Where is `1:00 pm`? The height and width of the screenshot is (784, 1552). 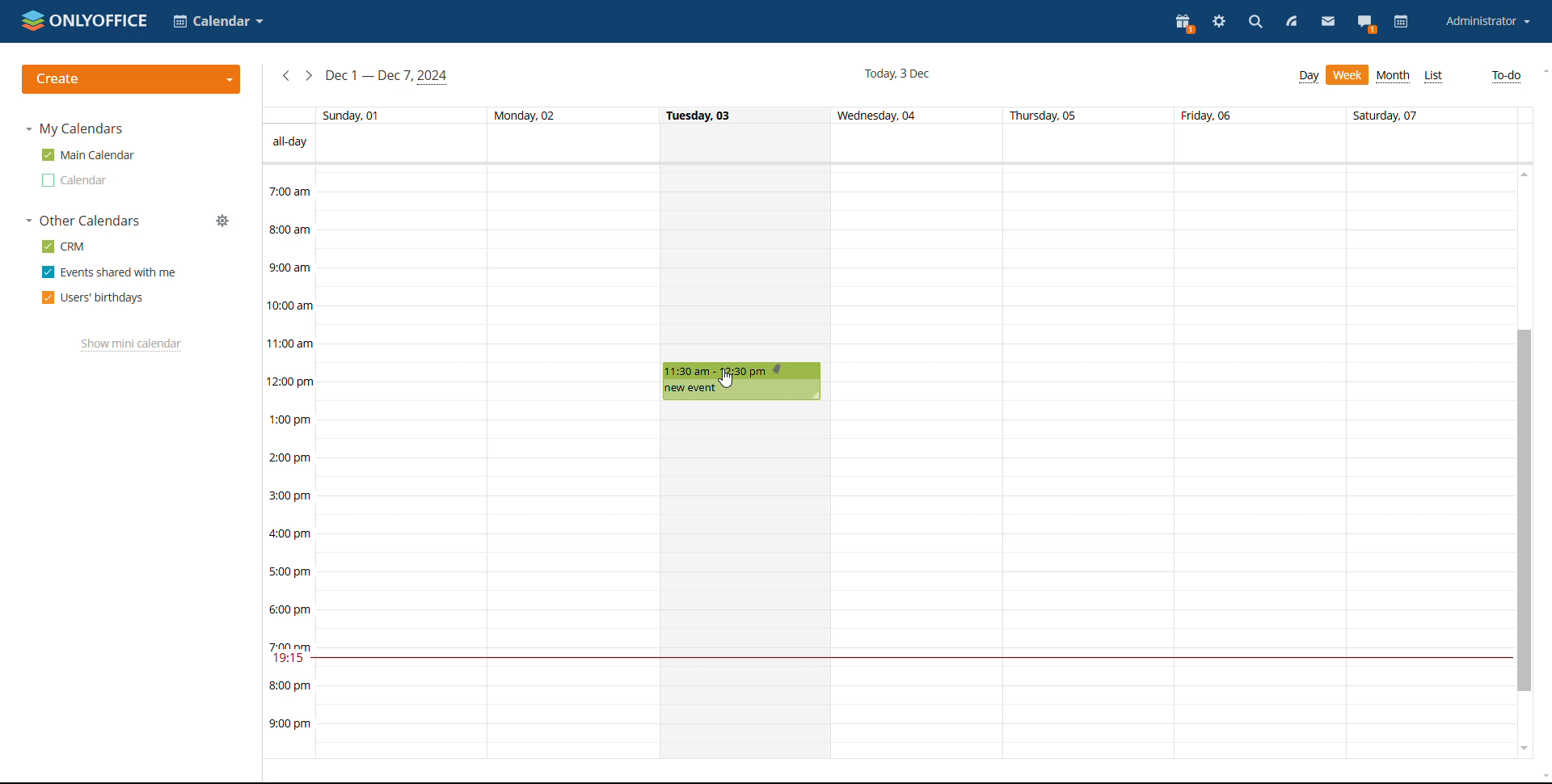 1:00 pm is located at coordinates (291, 419).